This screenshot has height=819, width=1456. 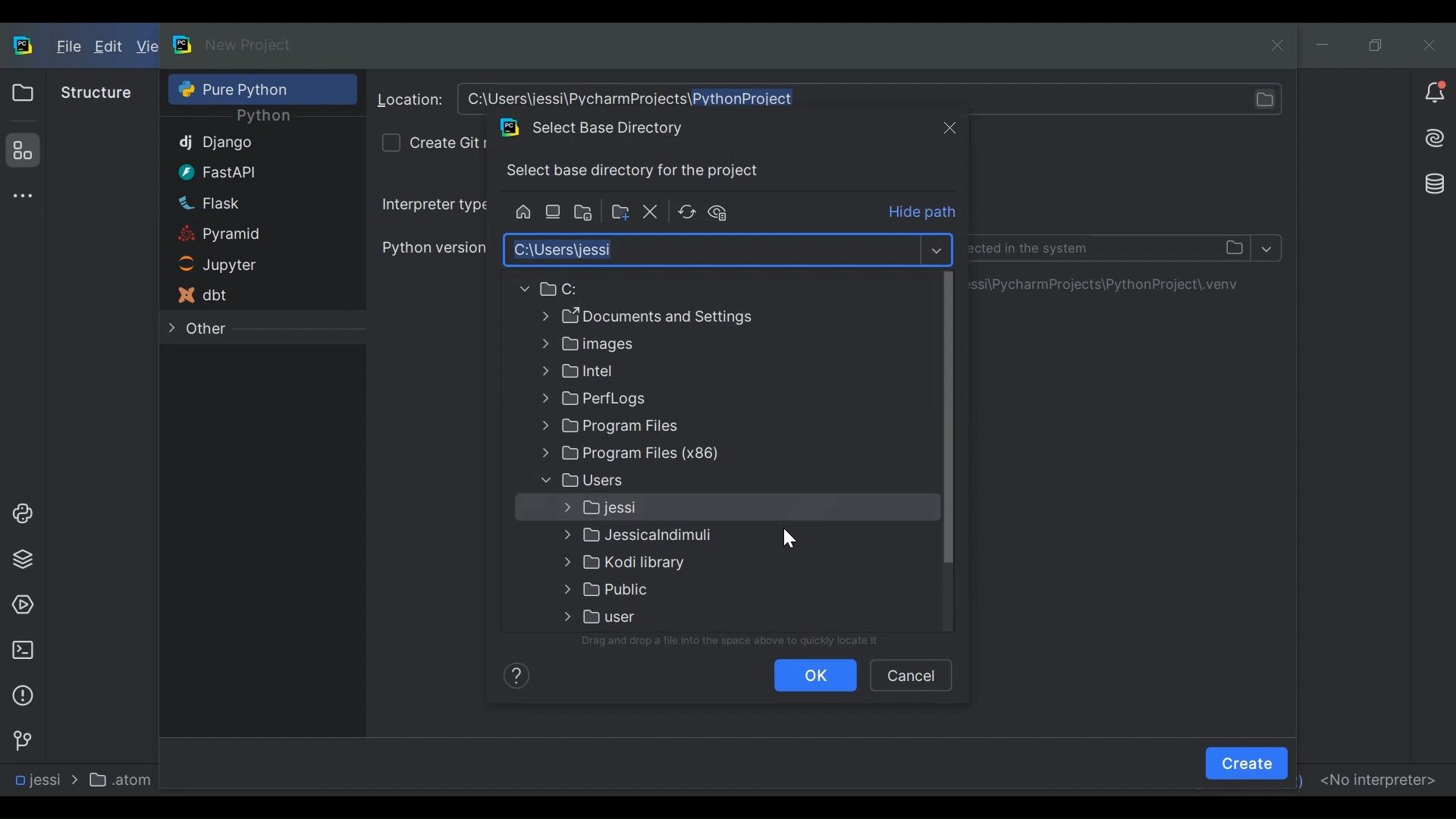 I want to click on Close, so click(x=949, y=127).